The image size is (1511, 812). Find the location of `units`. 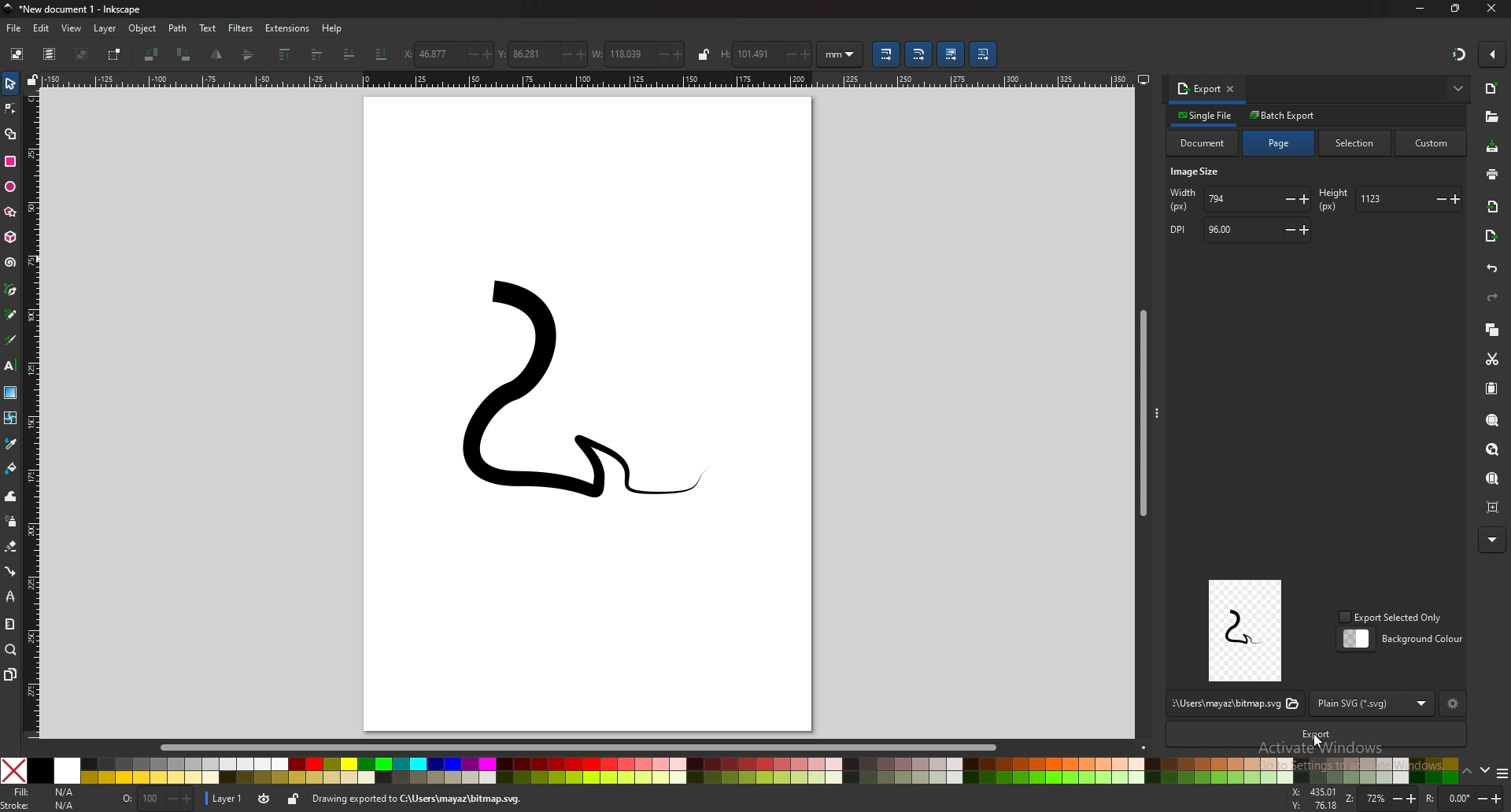

units is located at coordinates (840, 54).